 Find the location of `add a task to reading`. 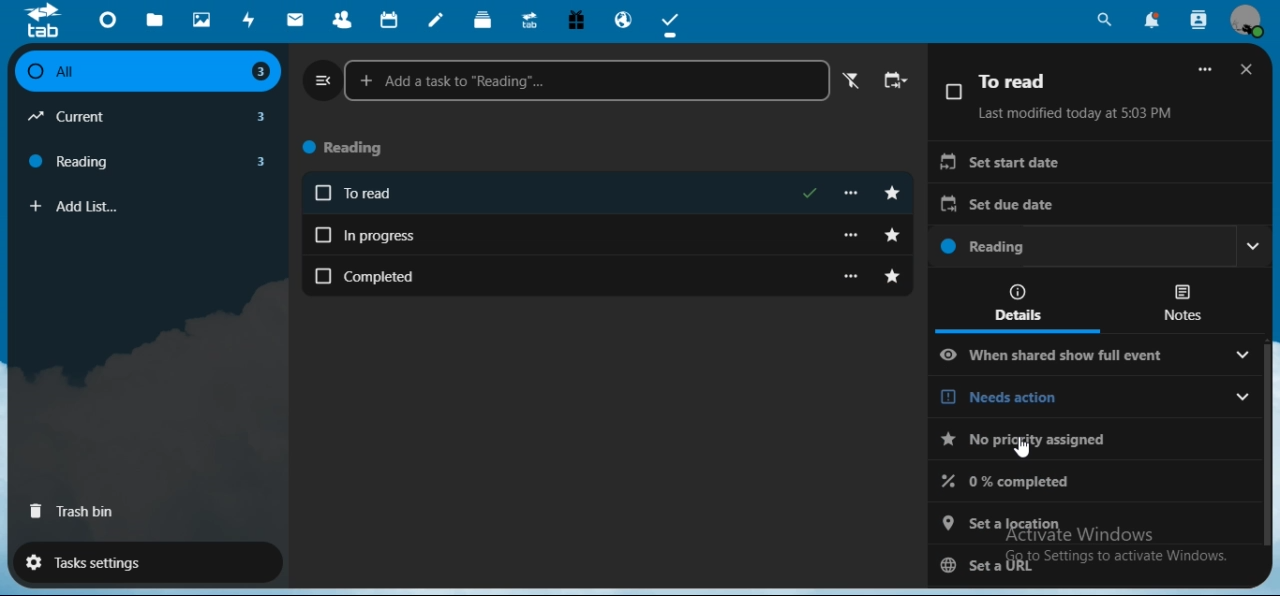

add a task to reading is located at coordinates (588, 81).